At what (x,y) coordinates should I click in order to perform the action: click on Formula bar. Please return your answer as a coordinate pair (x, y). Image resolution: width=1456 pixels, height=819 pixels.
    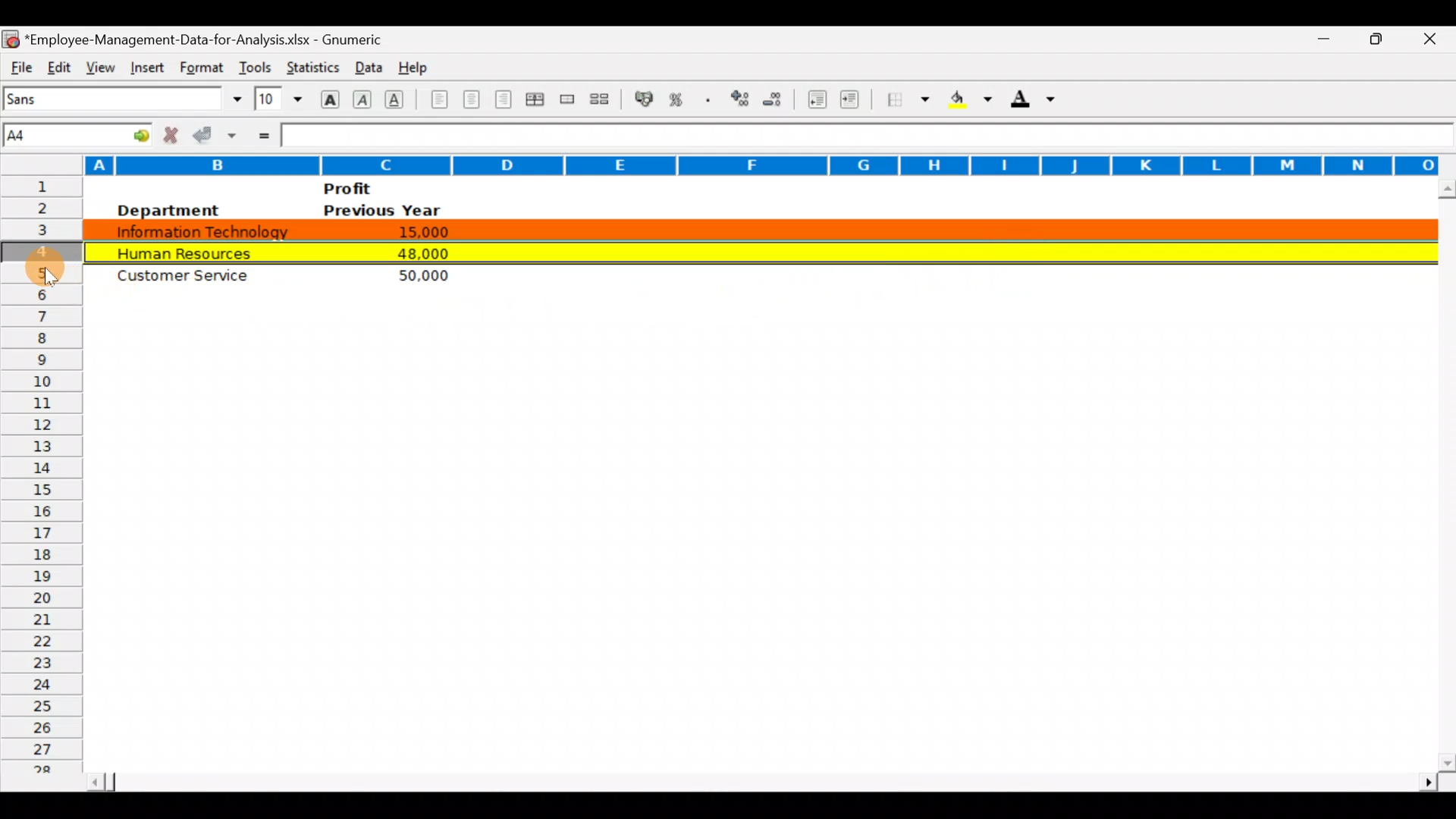
    Looking at the image, I should click on (868, 135).